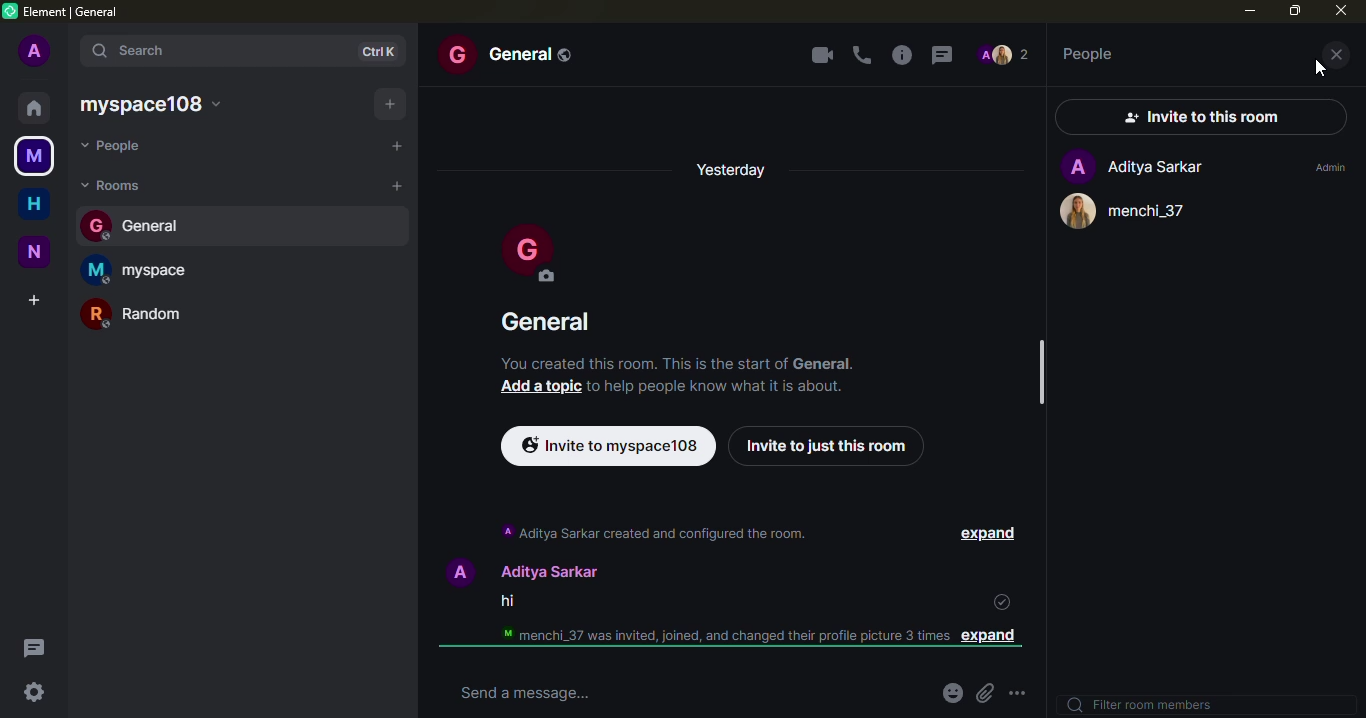 The height and width of the screenshot is (718, 1366). I want to click on home, so click(33, 107).